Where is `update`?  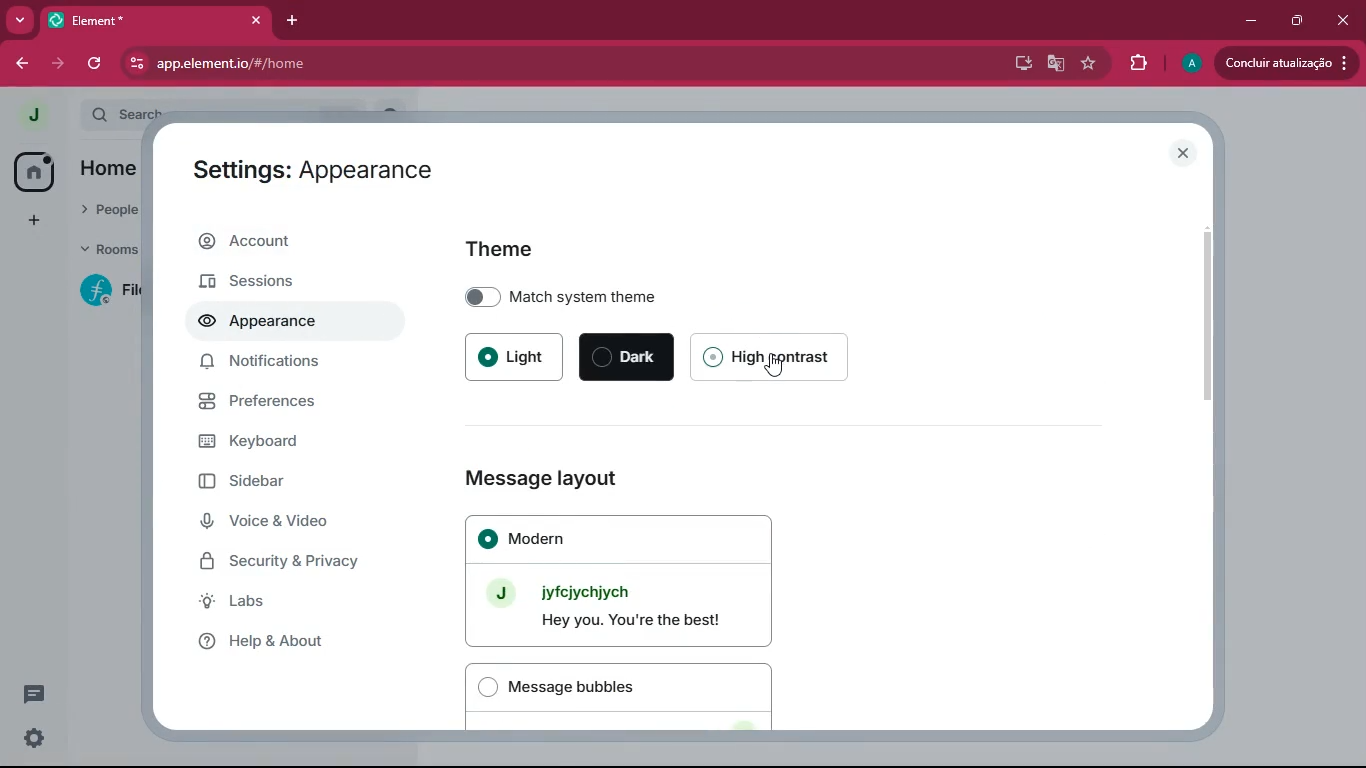 update is located at coordinates (1285, 62).